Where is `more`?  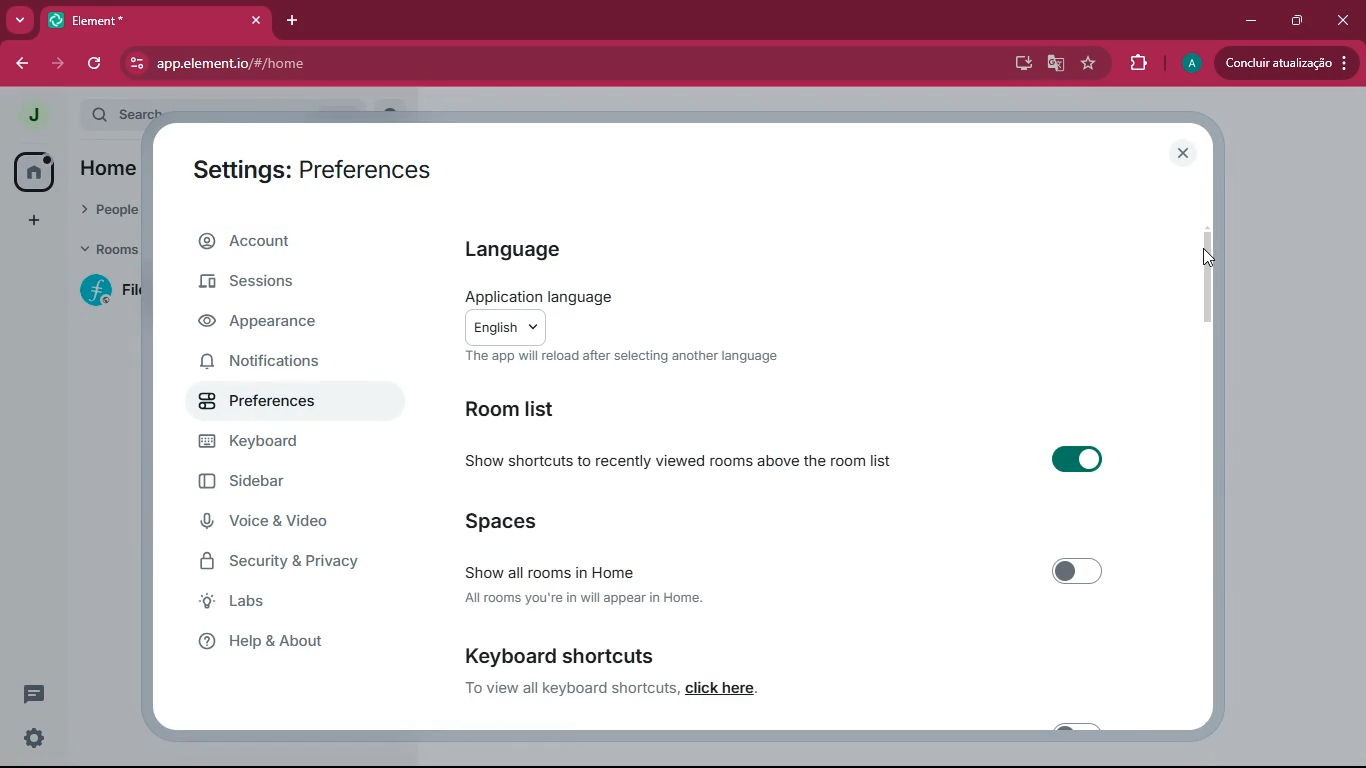 more is located at coordinates (19, 20).